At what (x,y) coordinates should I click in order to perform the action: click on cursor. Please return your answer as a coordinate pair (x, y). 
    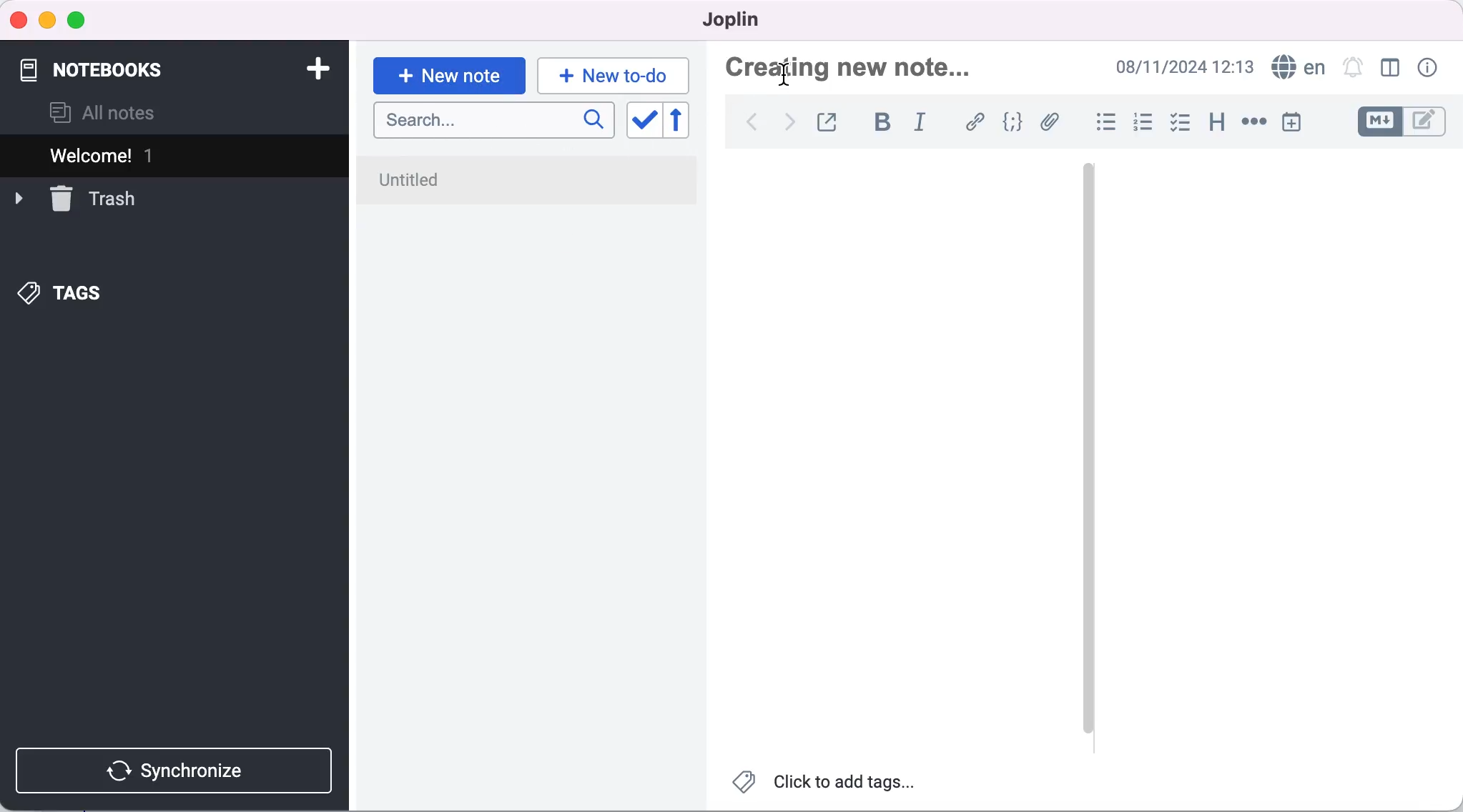
    Looking at the image, I should click on (771, 72).